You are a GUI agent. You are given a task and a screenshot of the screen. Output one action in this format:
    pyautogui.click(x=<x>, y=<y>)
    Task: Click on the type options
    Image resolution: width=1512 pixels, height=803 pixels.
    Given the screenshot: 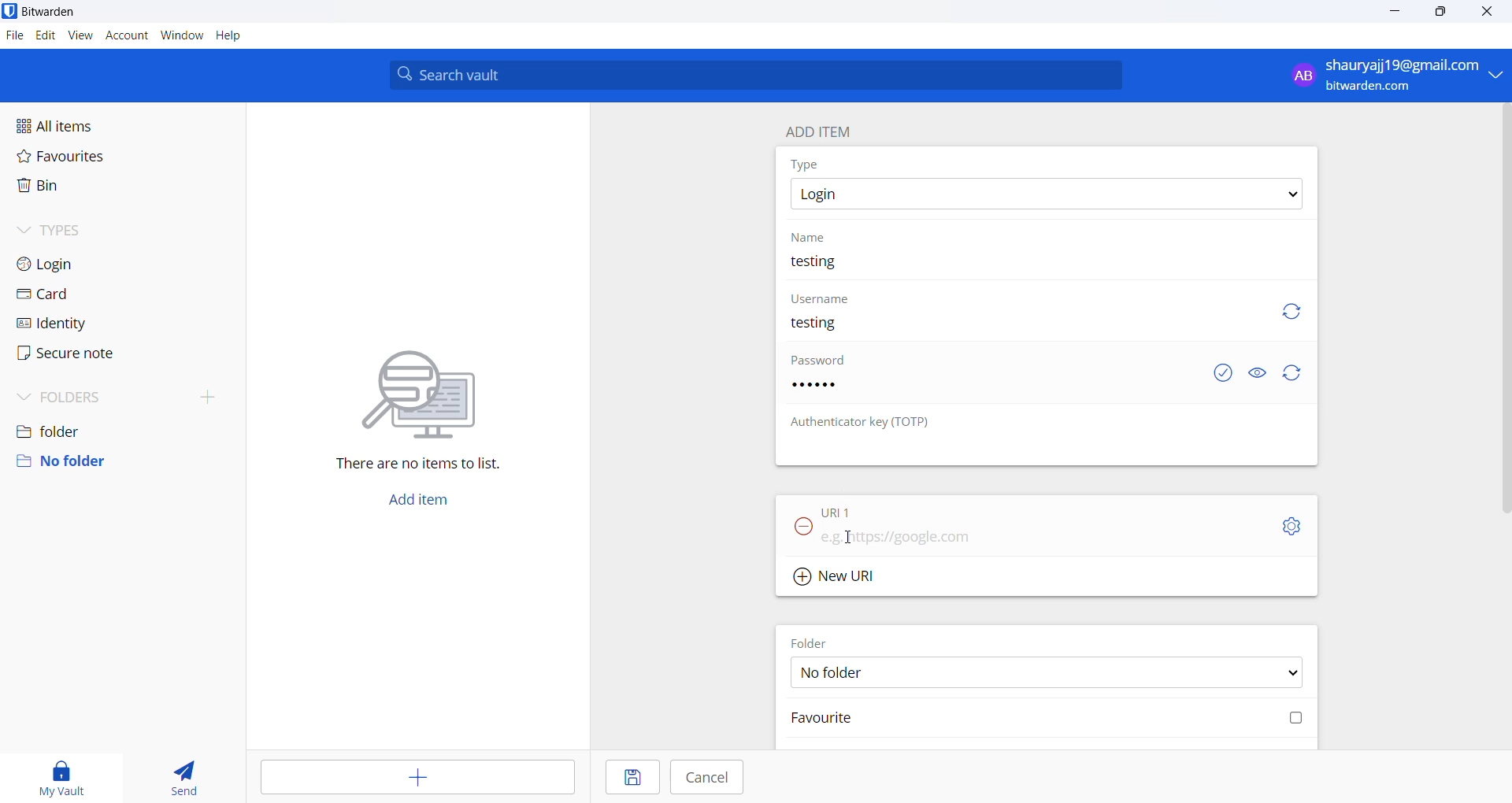 What is the action you would take?
    pyautogui.click(x=1045, y=194)
    